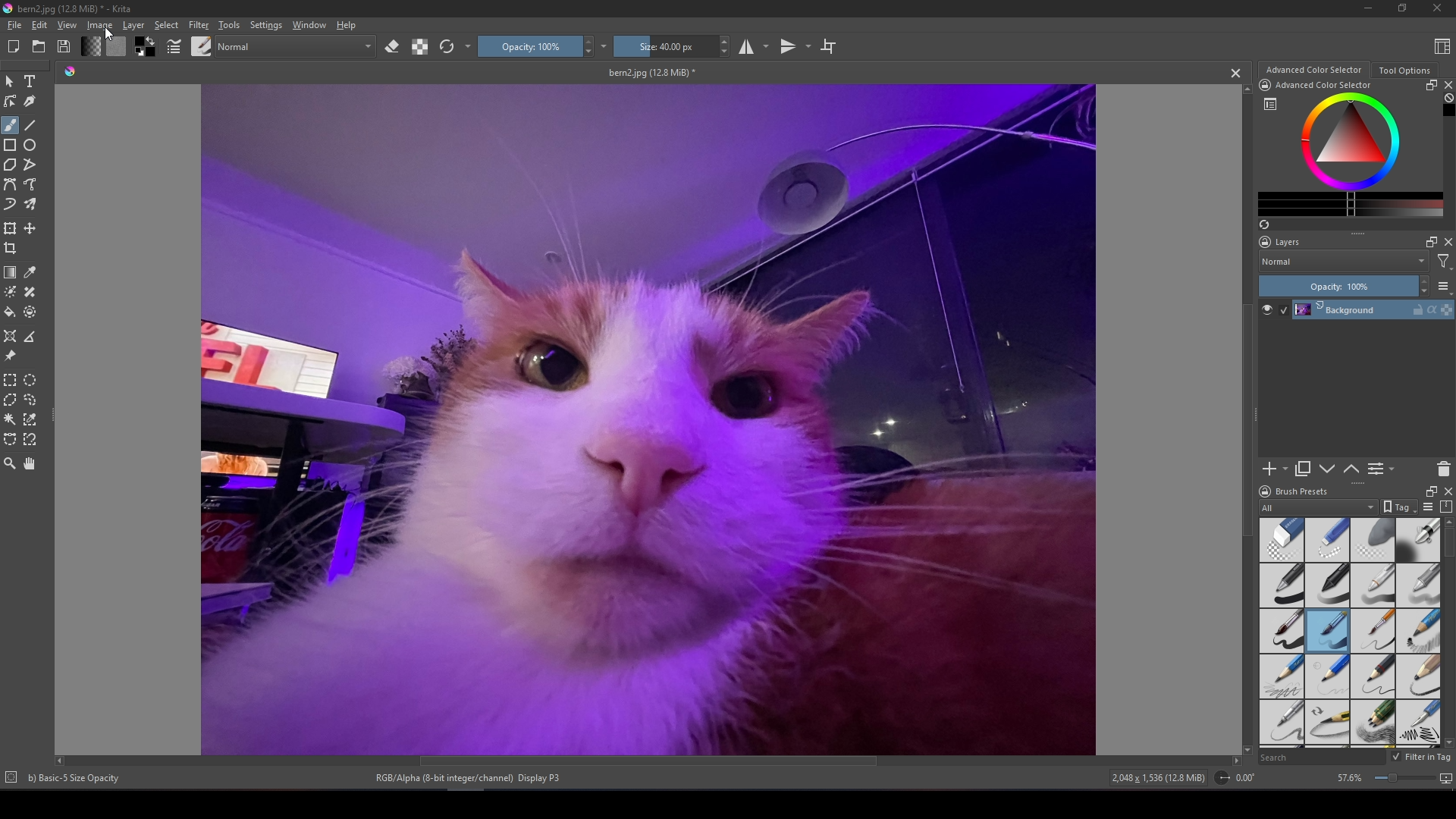  I want to click on Thumbnail settings, so click(1443, 286).